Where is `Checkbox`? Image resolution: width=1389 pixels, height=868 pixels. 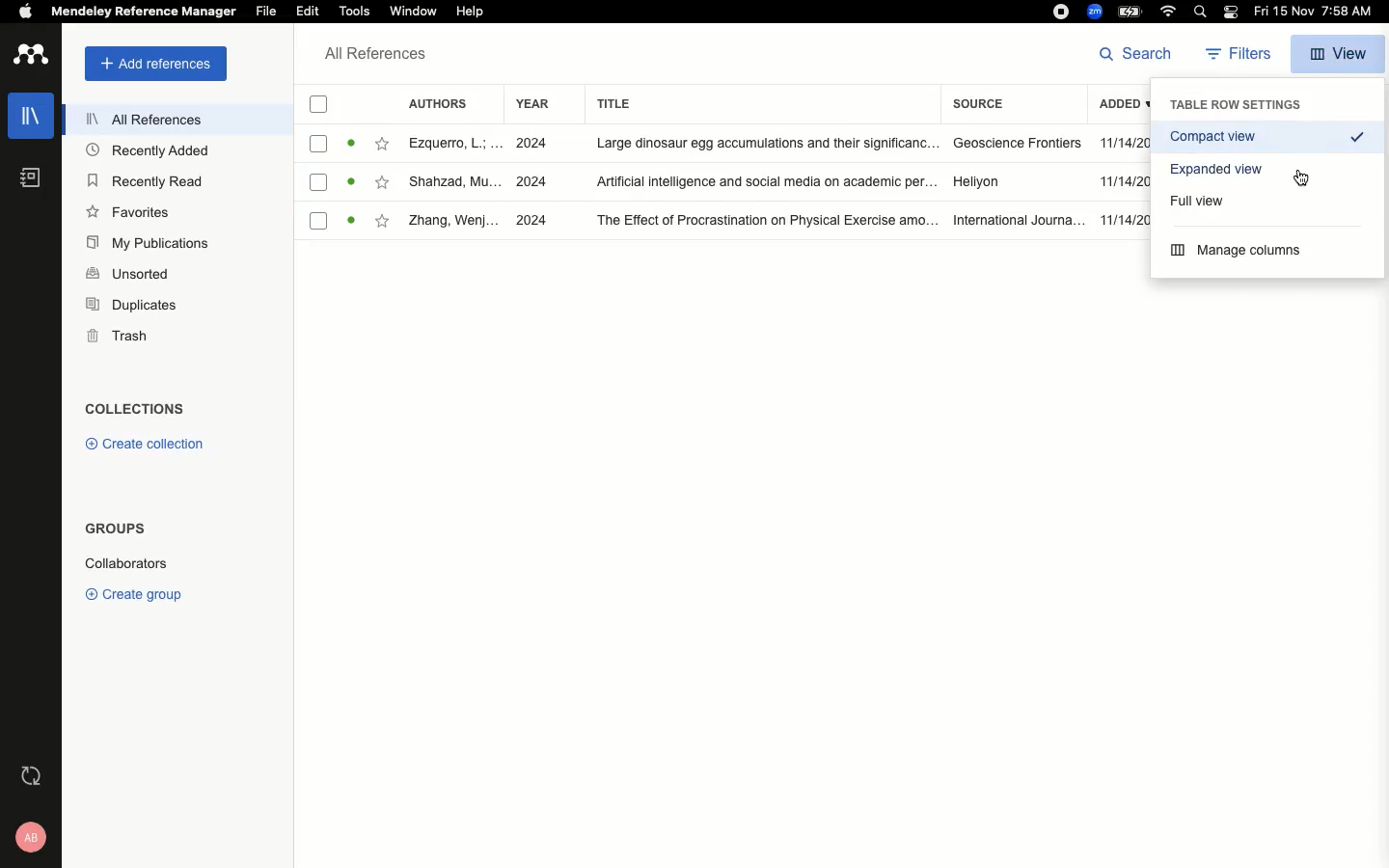 Checkbox is located at coordinates (320, 144).